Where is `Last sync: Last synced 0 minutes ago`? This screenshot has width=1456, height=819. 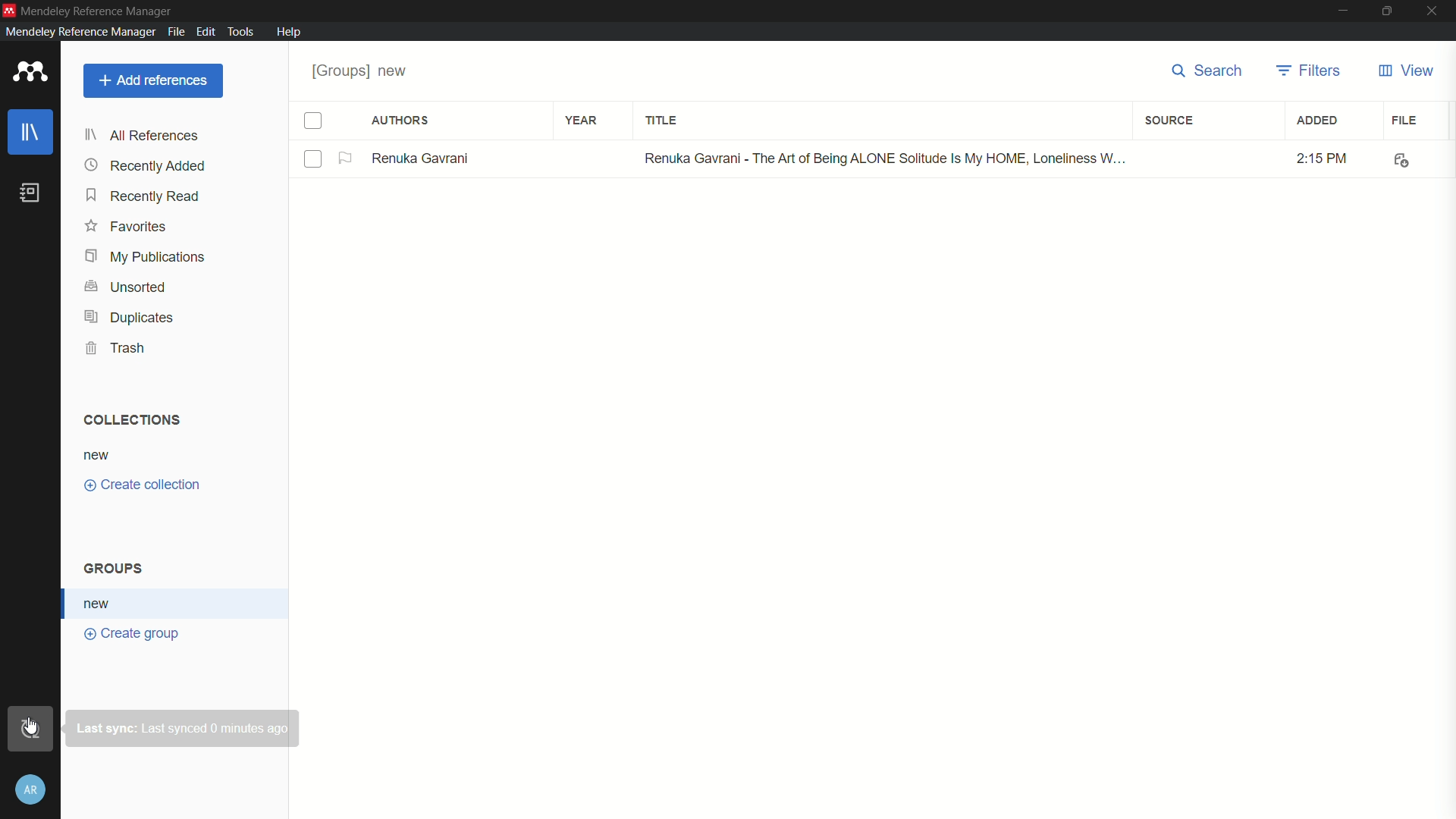
Last sync: Last synced 0 minutes ago is located at coordinates (186, 728).